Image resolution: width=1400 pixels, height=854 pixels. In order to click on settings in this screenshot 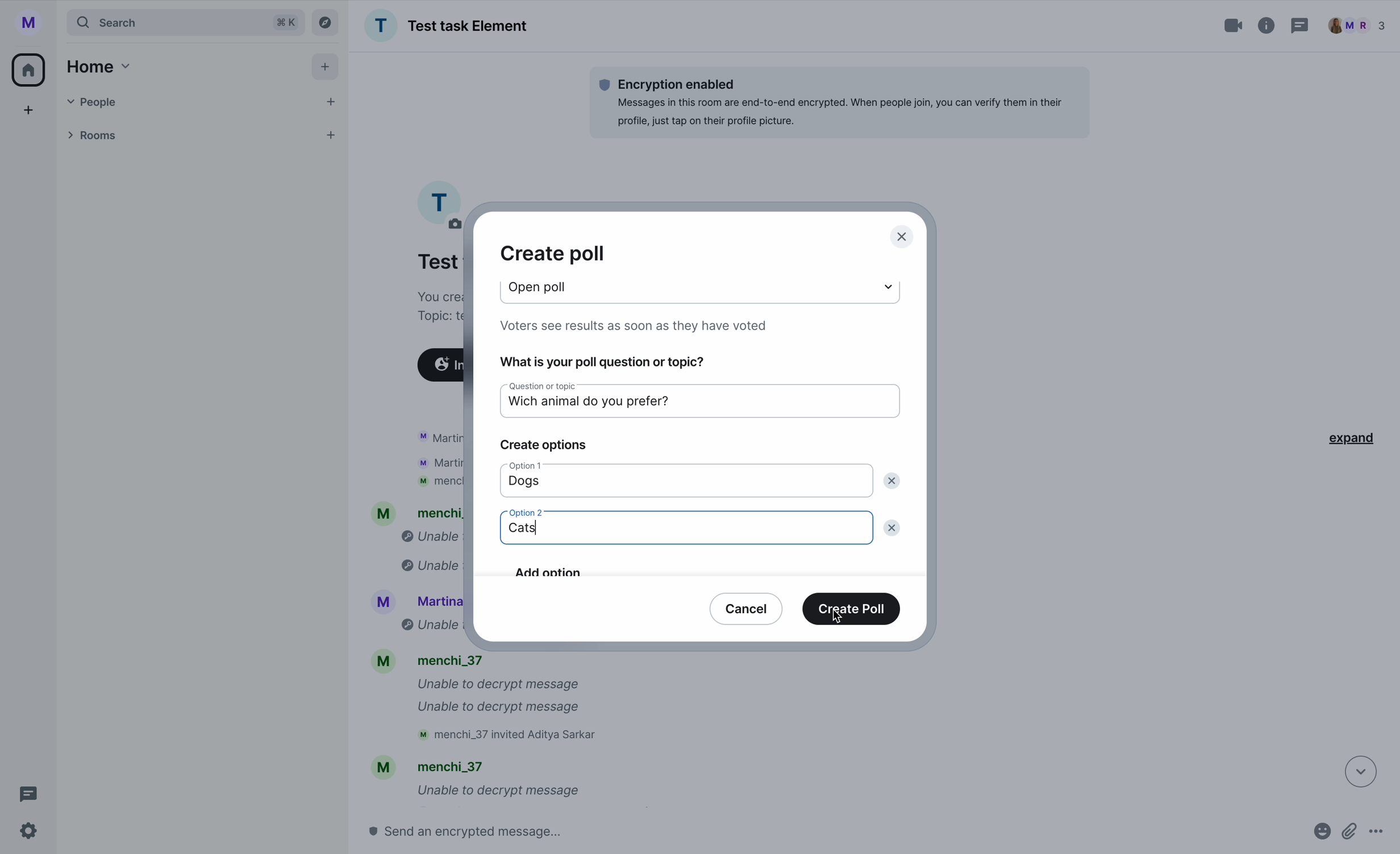, I will do `click(30, 832)`.